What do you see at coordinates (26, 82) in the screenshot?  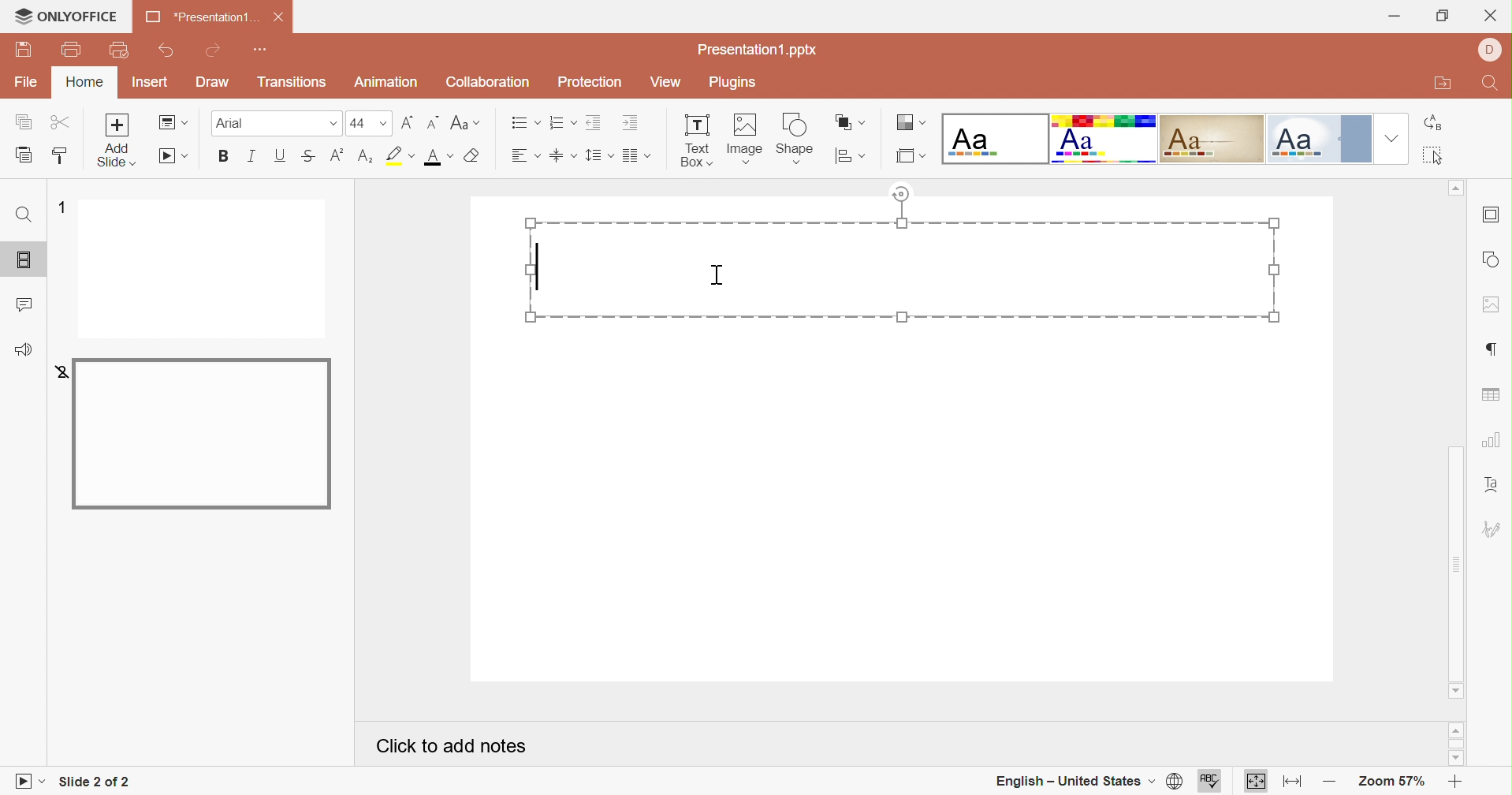 I see `File` at bounding box center [26, 82].